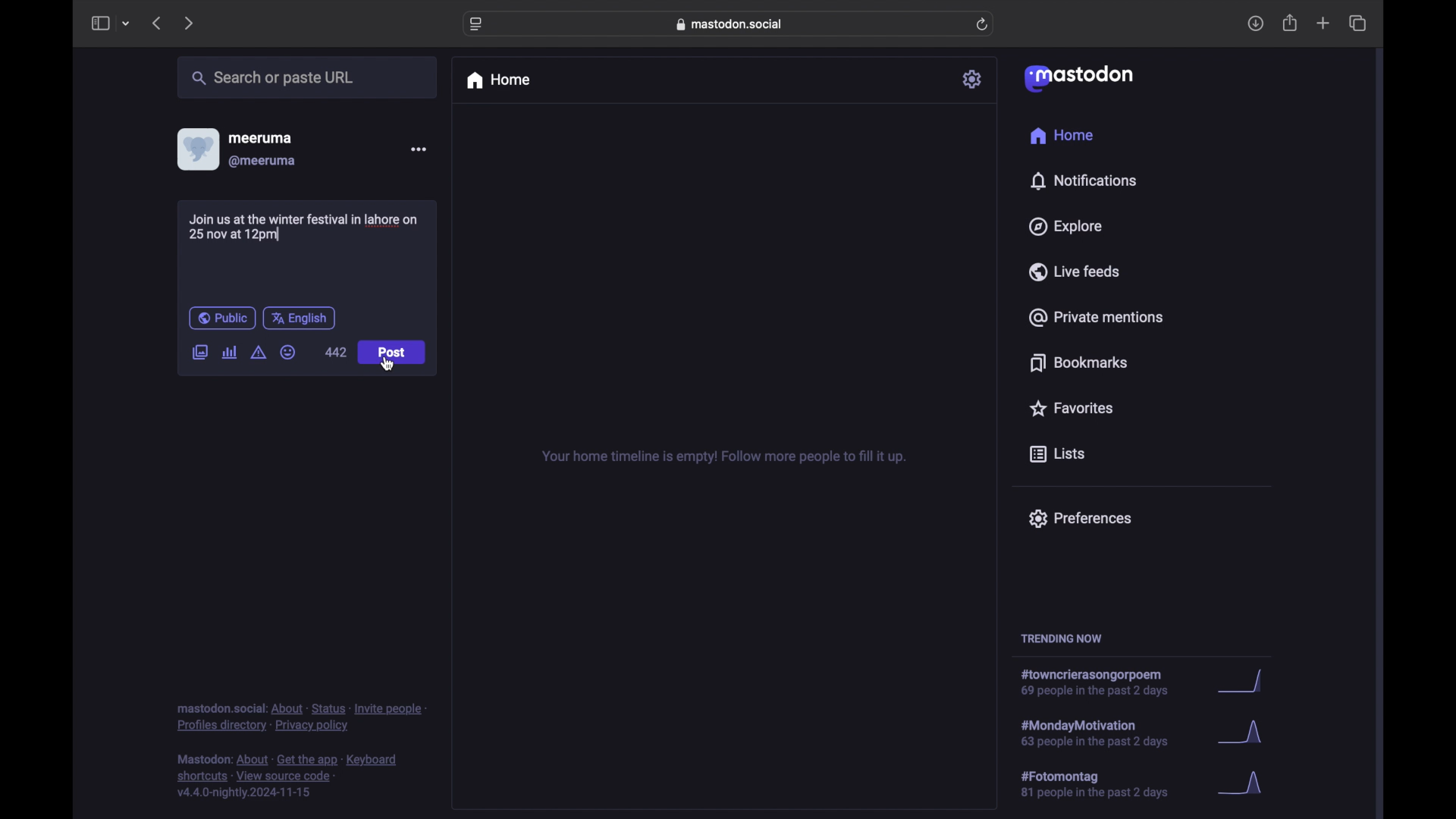 This screenshot has width=1456, height=819. What do you see at coordinates (99, 23) in the screenshot?
I see `sidebar` at bounding box center [99, 23].